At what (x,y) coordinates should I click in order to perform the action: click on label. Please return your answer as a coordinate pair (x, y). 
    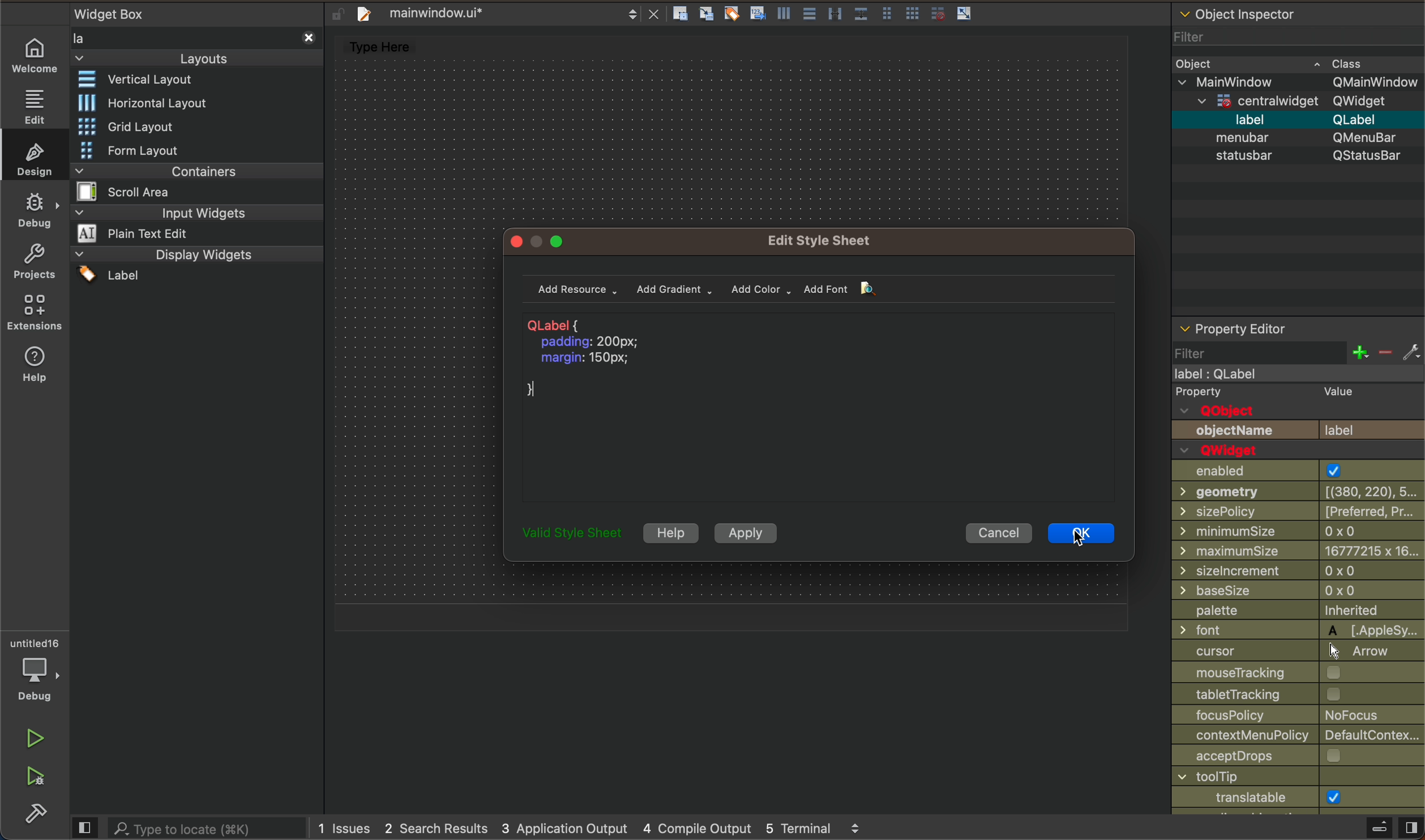
    Looking at the image, I should click on (1300, 121).